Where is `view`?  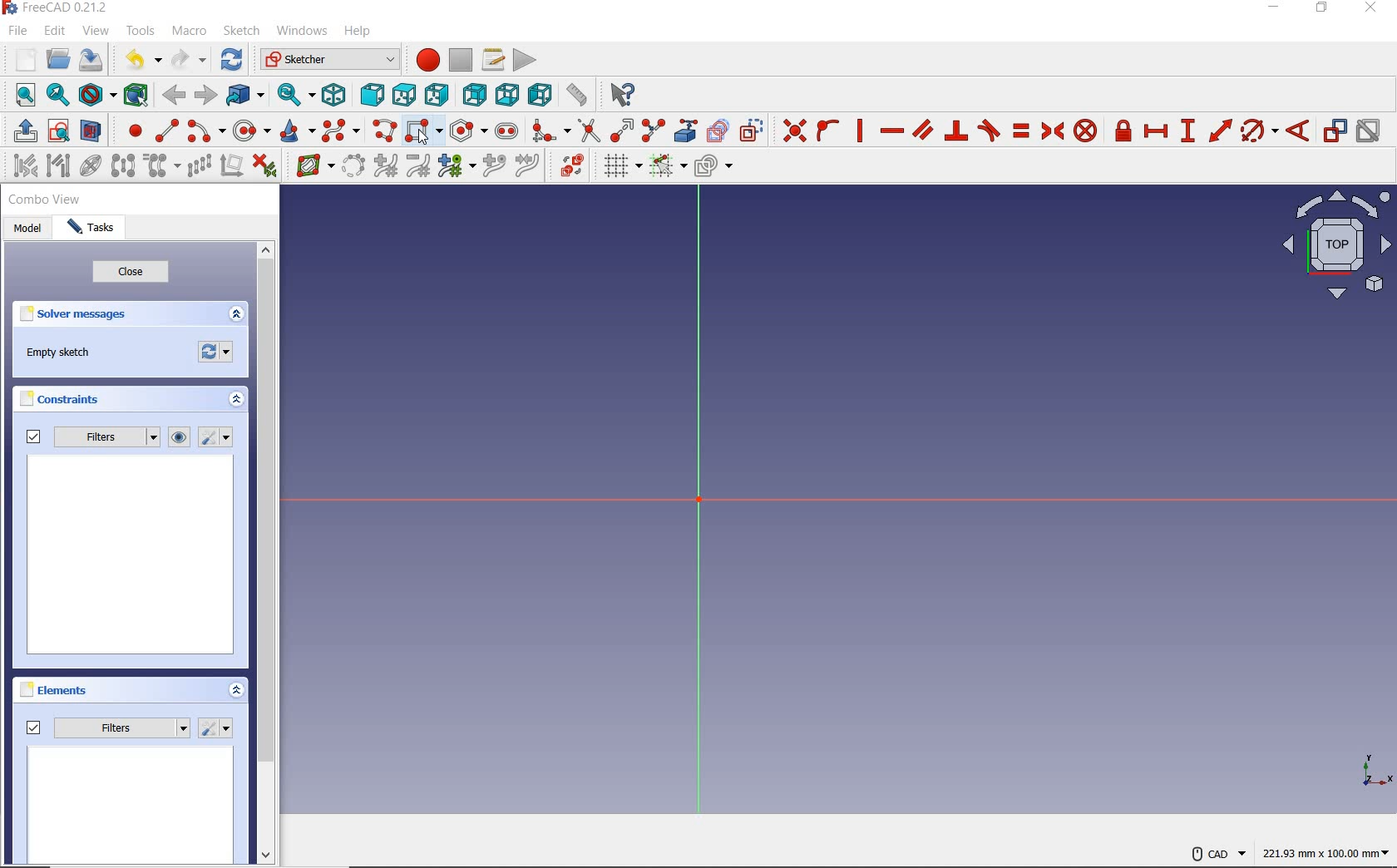
view is located at coordinates (96, 32).